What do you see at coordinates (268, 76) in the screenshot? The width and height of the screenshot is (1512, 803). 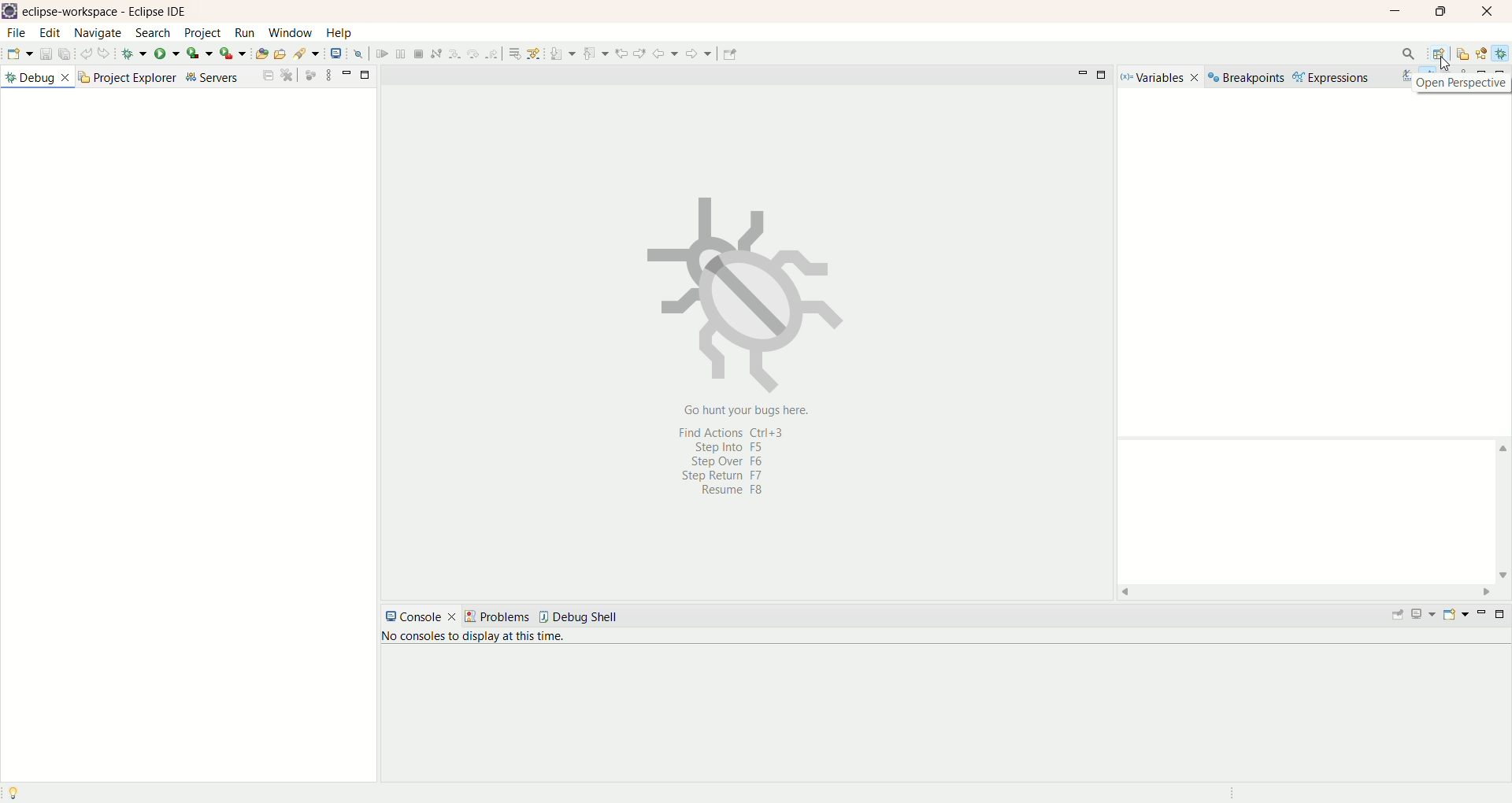 I see `collapse all` at bounding box center [268, 76].